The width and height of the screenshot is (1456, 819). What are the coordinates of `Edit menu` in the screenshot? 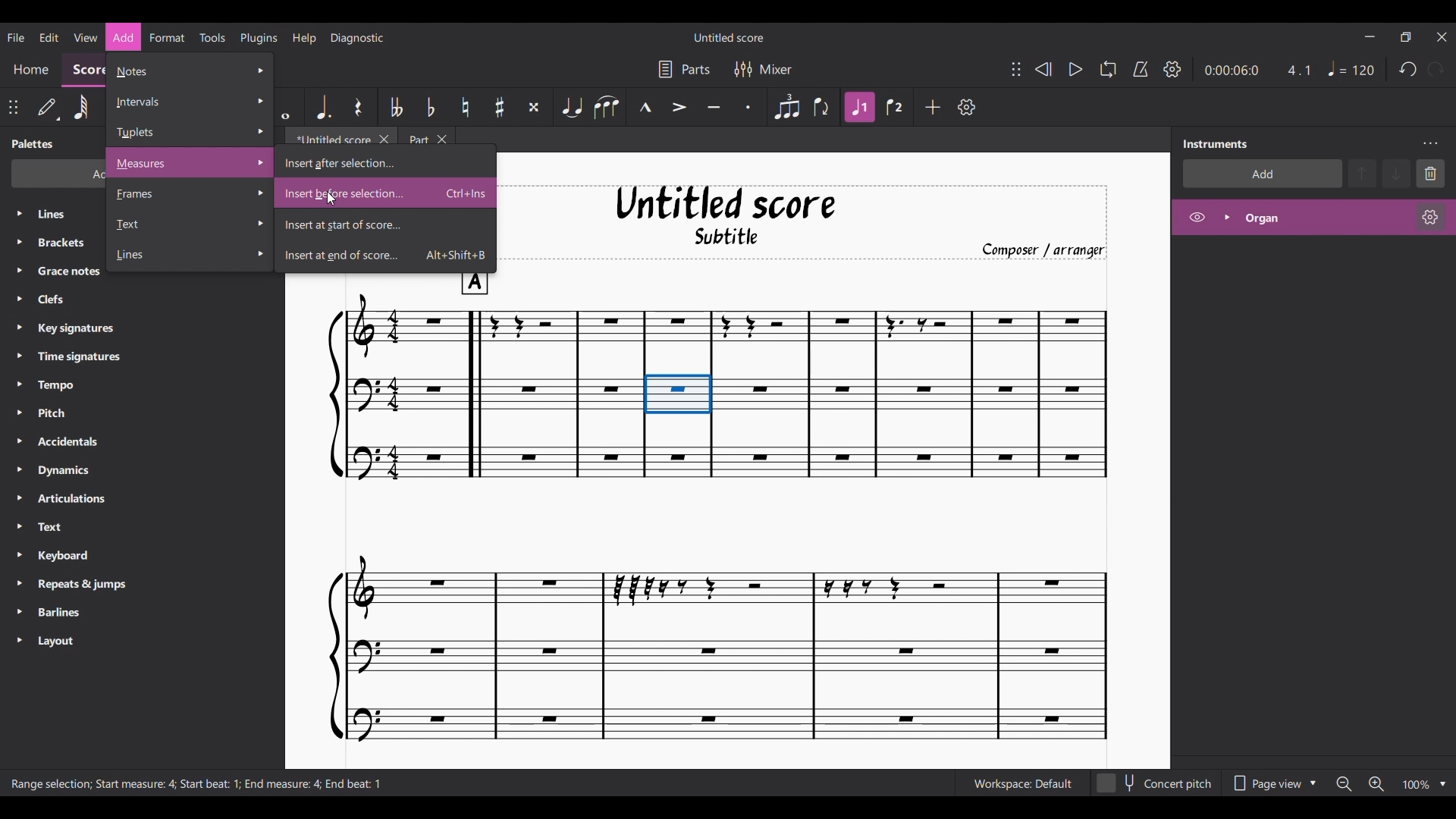 It's located at (49, 36).